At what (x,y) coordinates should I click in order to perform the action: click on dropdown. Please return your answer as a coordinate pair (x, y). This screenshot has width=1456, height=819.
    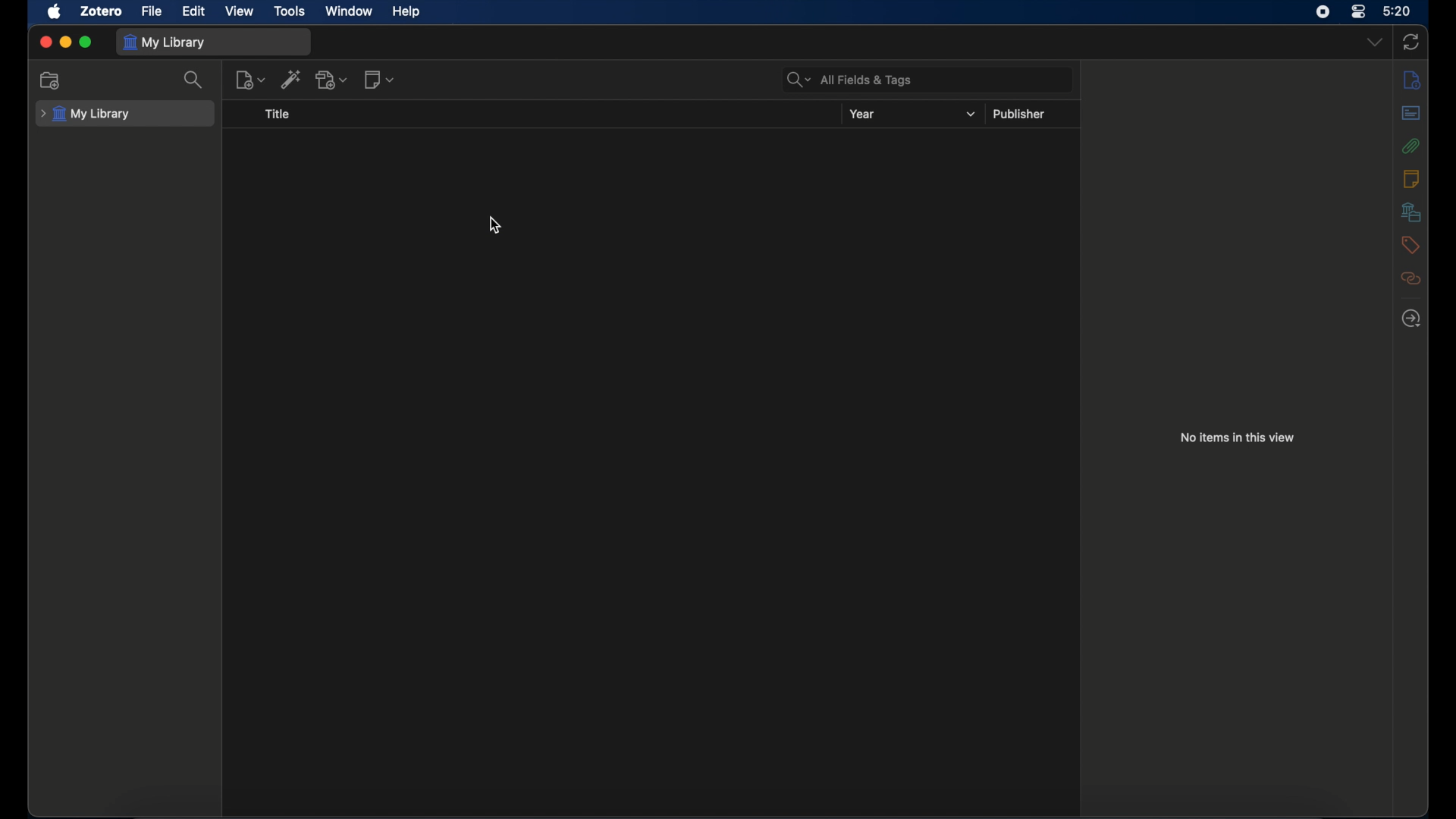
    Looking at the image, I should click on (1373, 41).